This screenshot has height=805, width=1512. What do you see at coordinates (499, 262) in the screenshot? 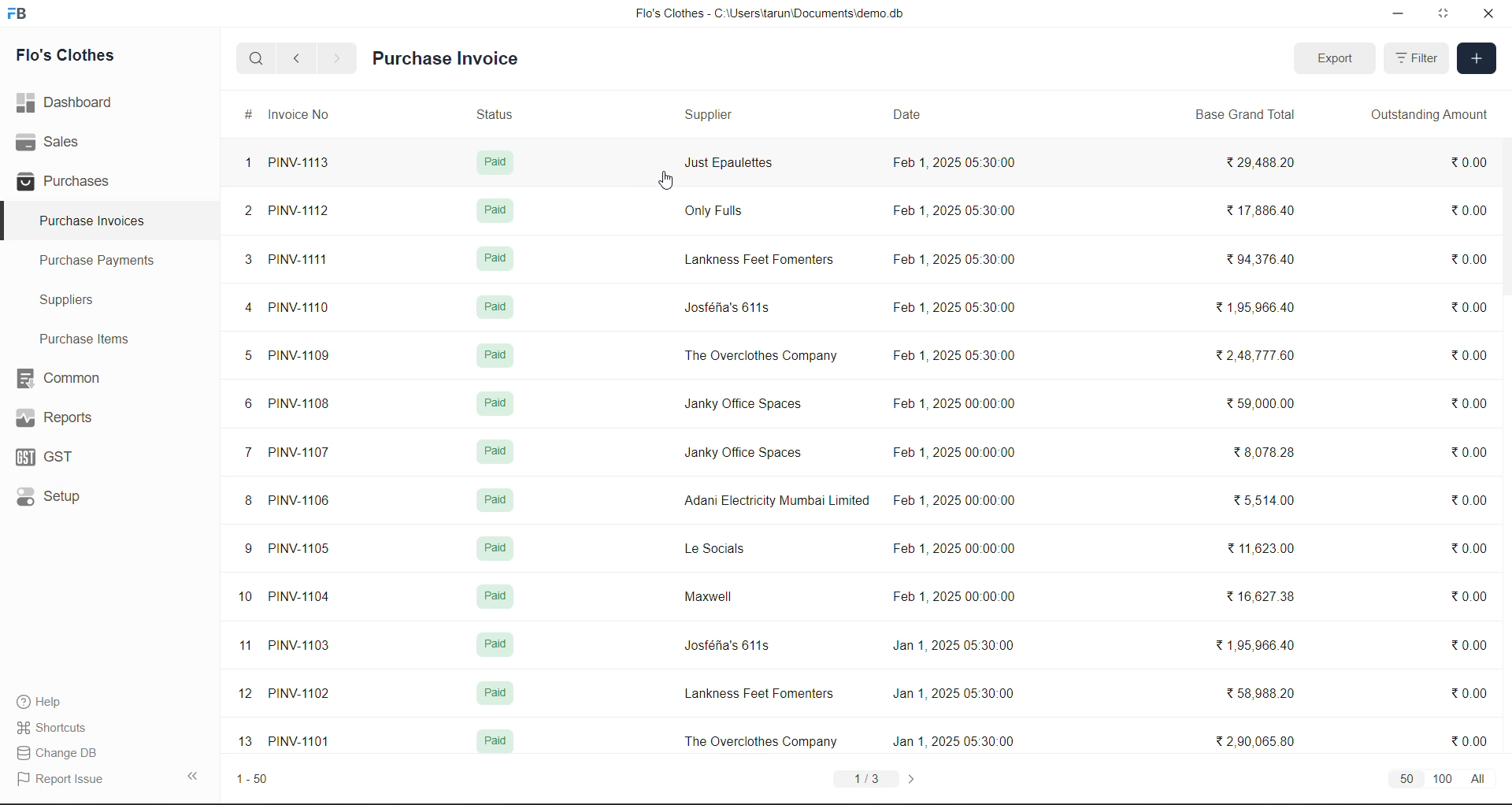
I see `Paid` at bounding box center [499, 262].